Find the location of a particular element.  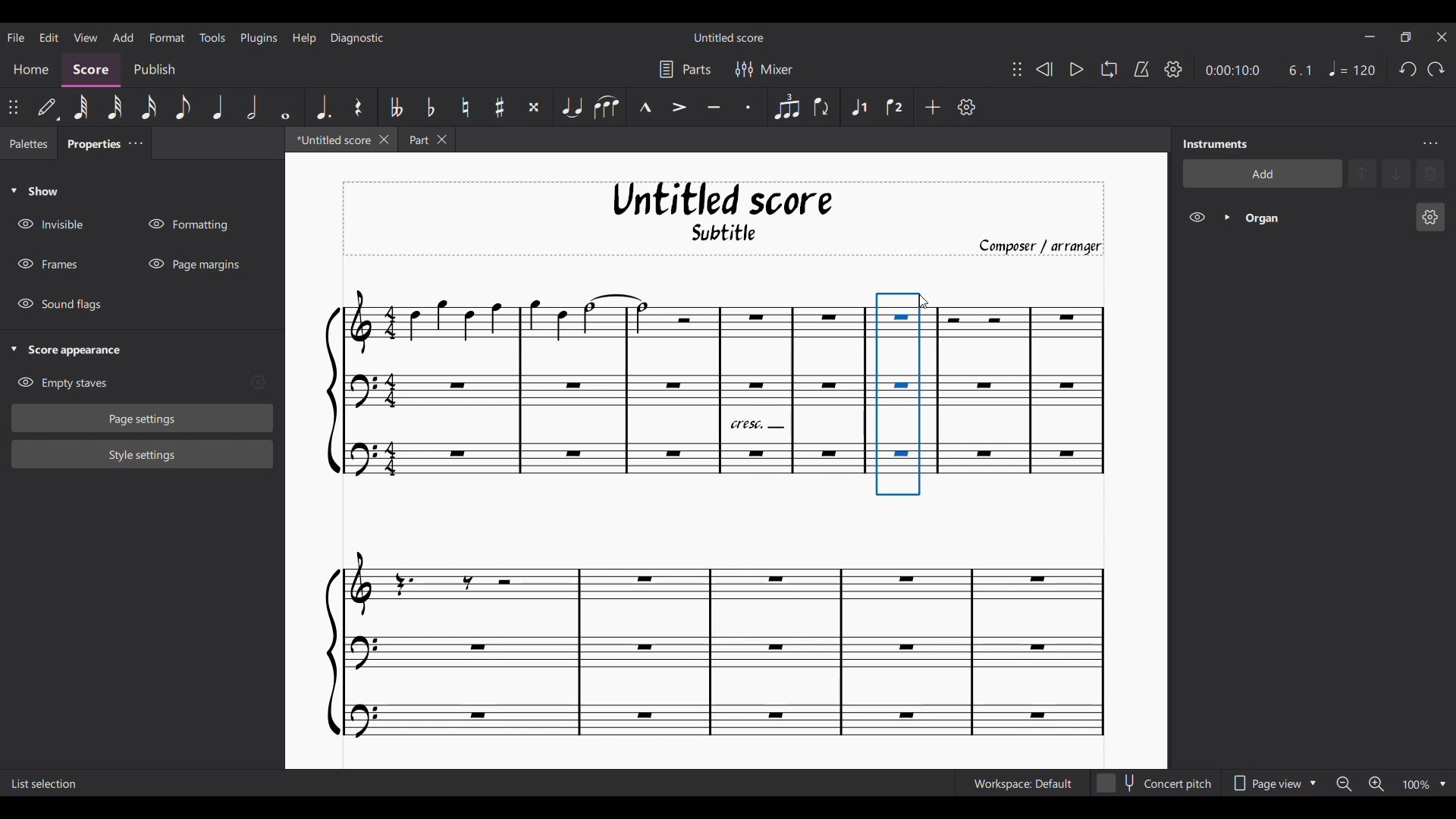

Properties tab, current tab is located at coordinates (90, 143).